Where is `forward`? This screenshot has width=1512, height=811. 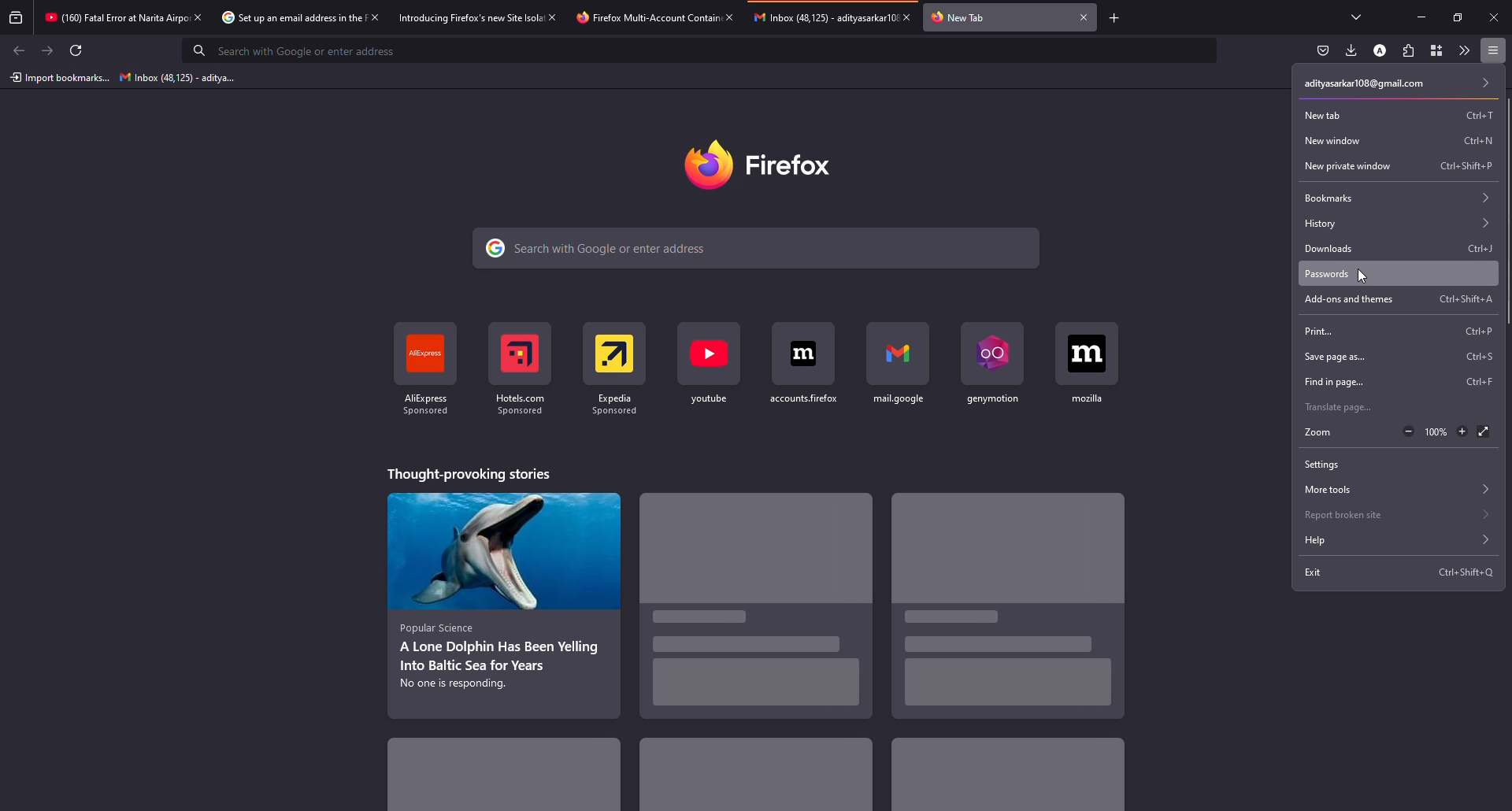 forward is located at coordinates (48, 51).